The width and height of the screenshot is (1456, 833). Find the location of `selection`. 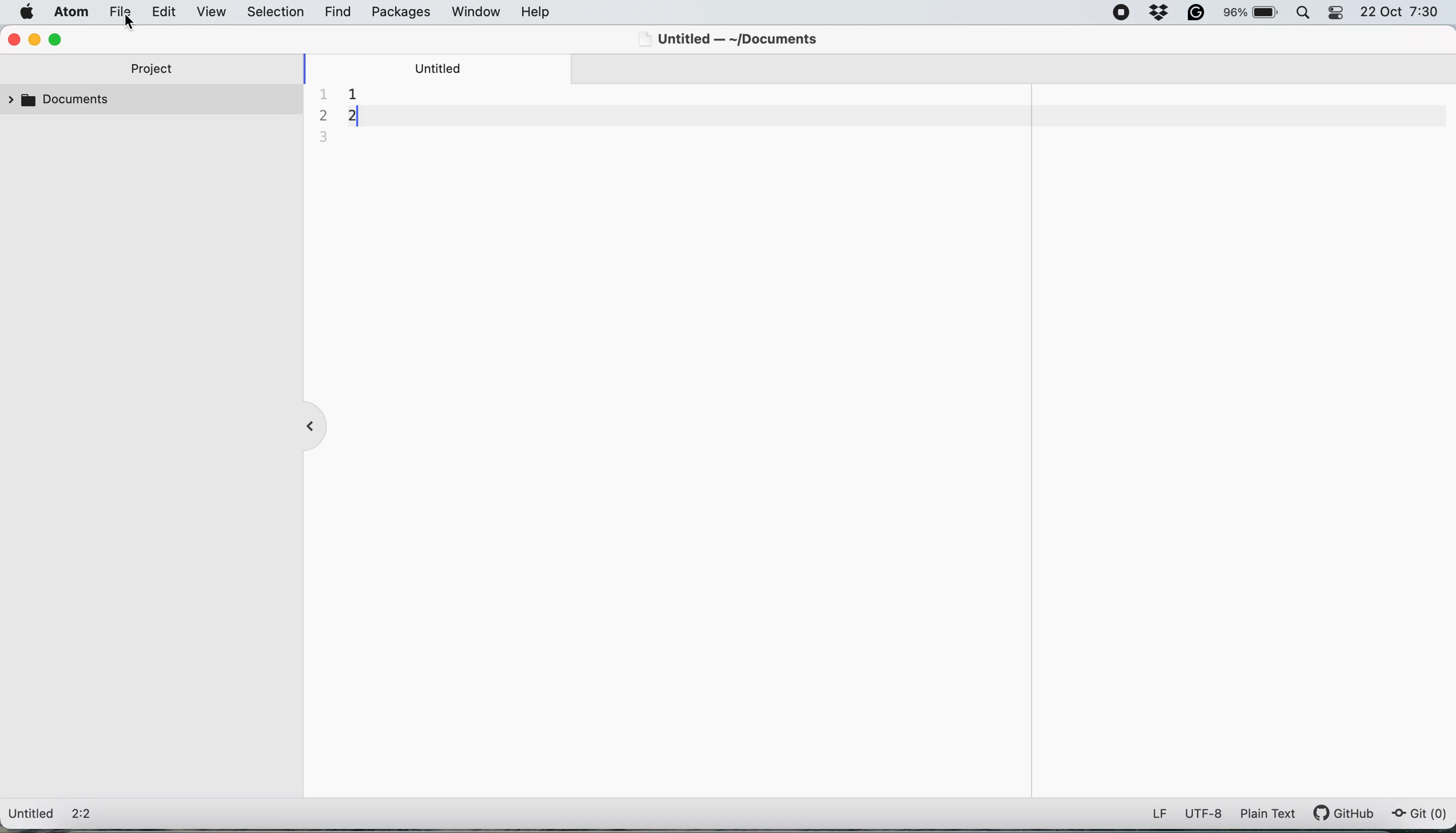

selection is located at coordinates (278, 11).